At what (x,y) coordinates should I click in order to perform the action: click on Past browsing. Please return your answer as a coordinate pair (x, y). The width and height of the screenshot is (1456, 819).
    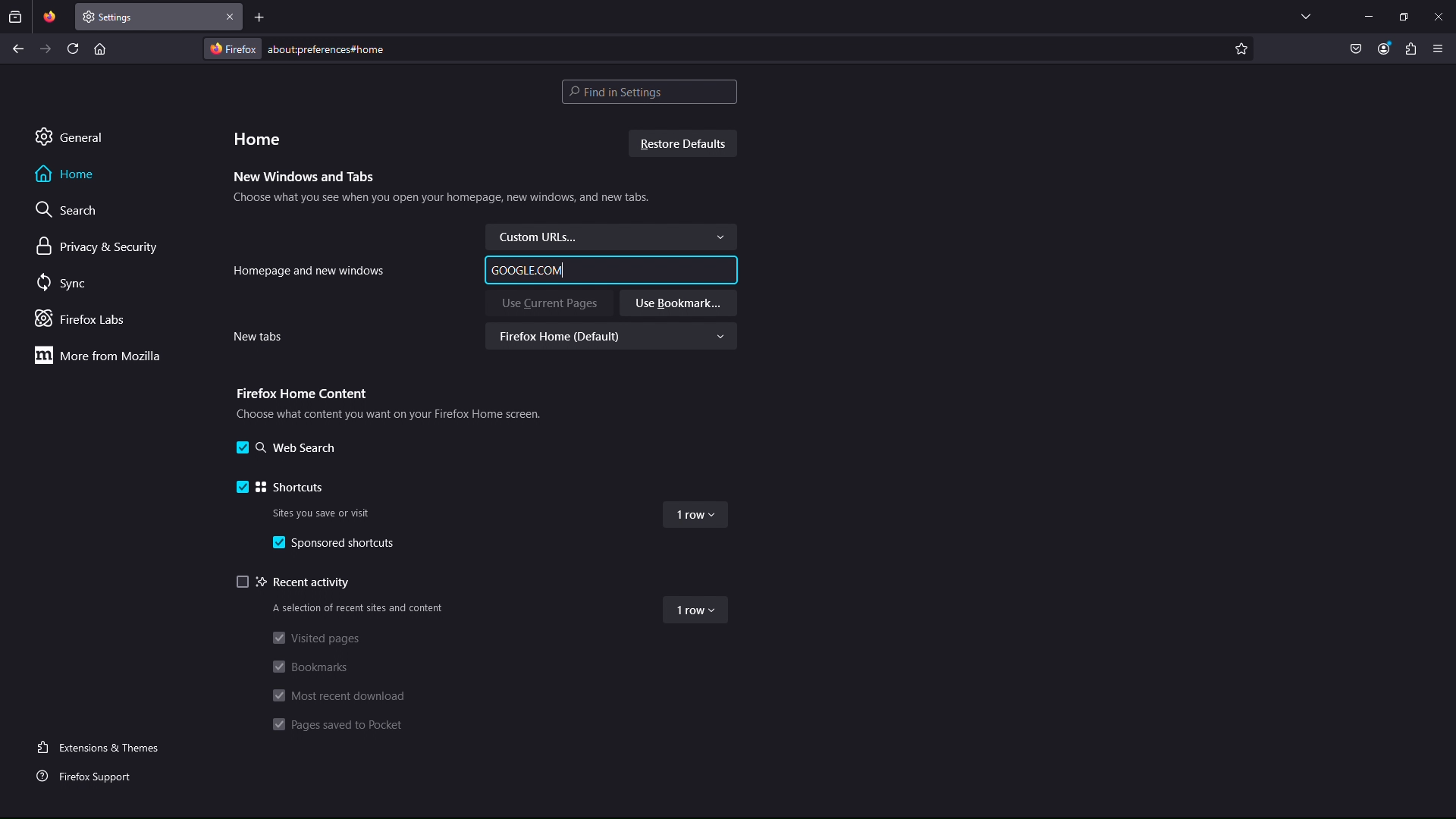
    Looking at the image, I should click on (15, 17).